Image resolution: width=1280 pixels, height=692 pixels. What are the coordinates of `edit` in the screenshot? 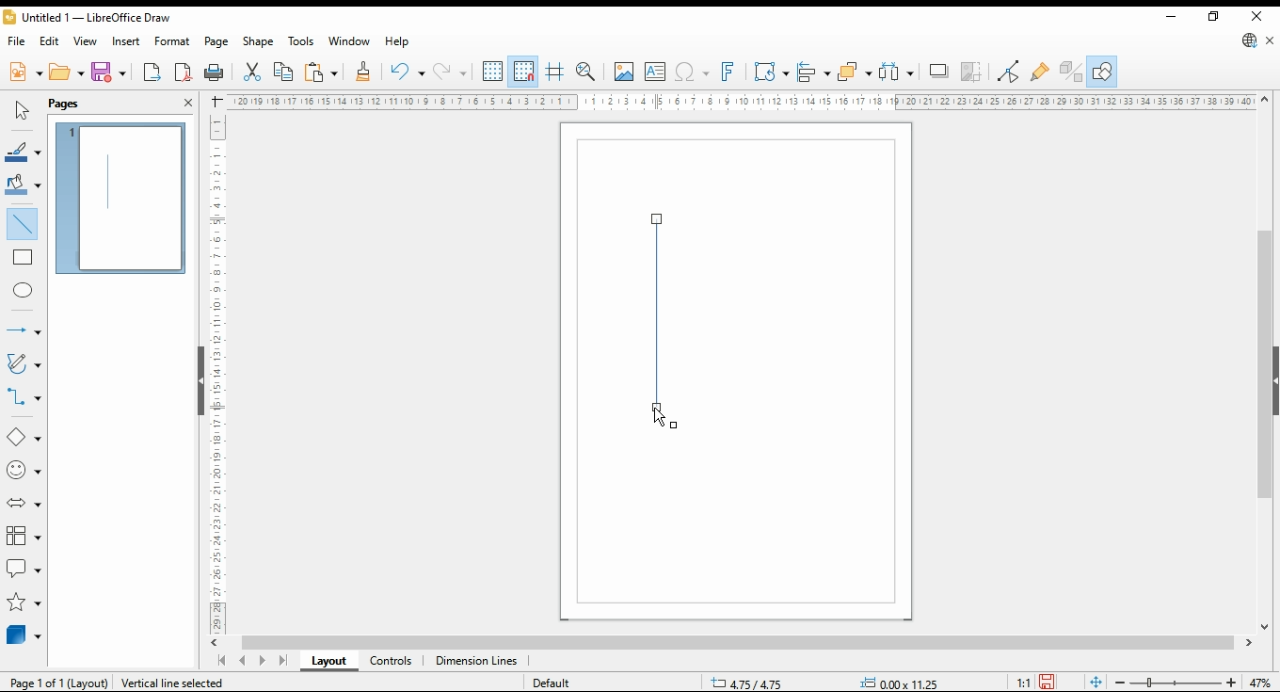 It's located at (52, 43).